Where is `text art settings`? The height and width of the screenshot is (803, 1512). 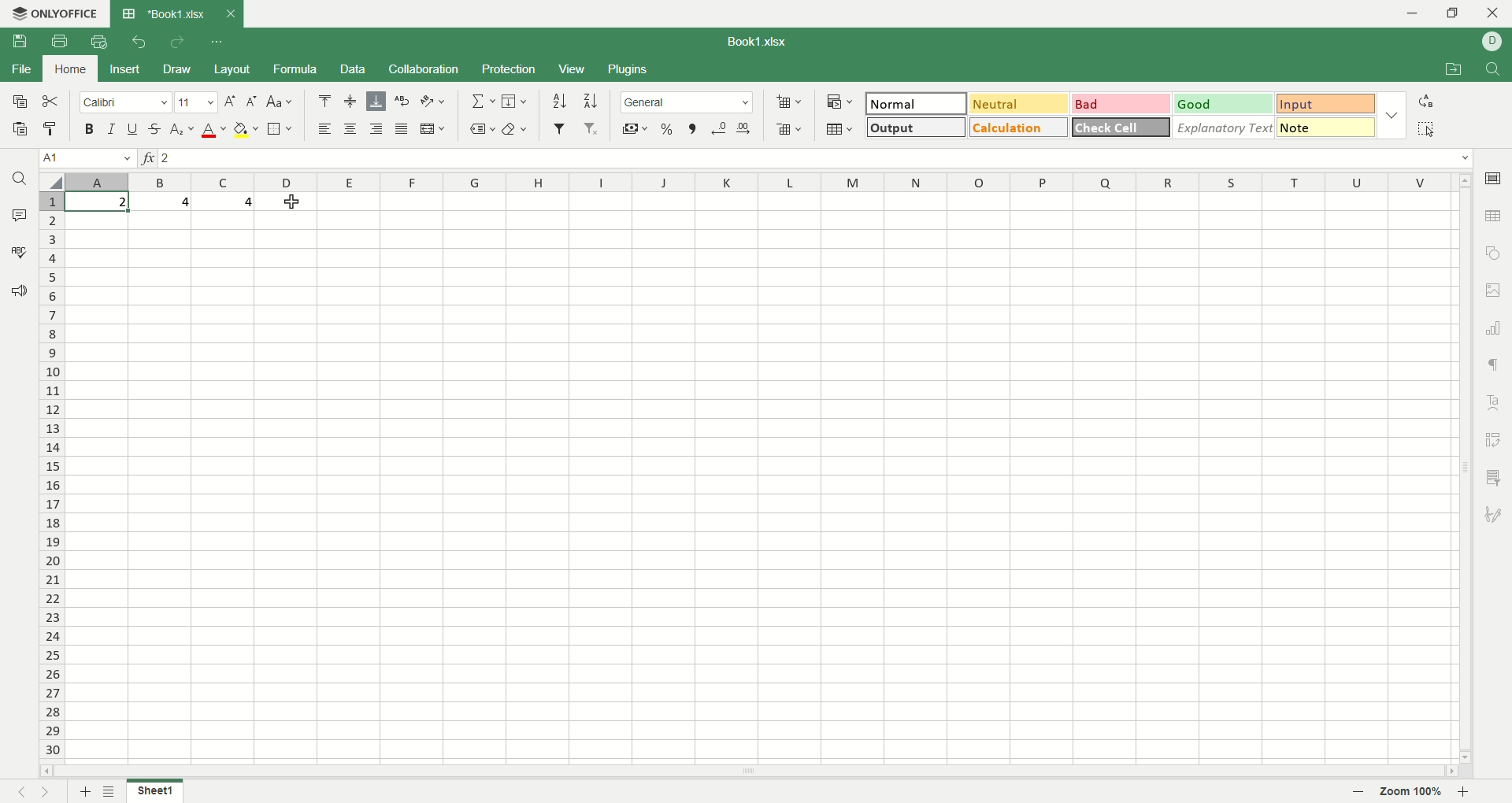 text art settings is located at coordinates (1495, 401).